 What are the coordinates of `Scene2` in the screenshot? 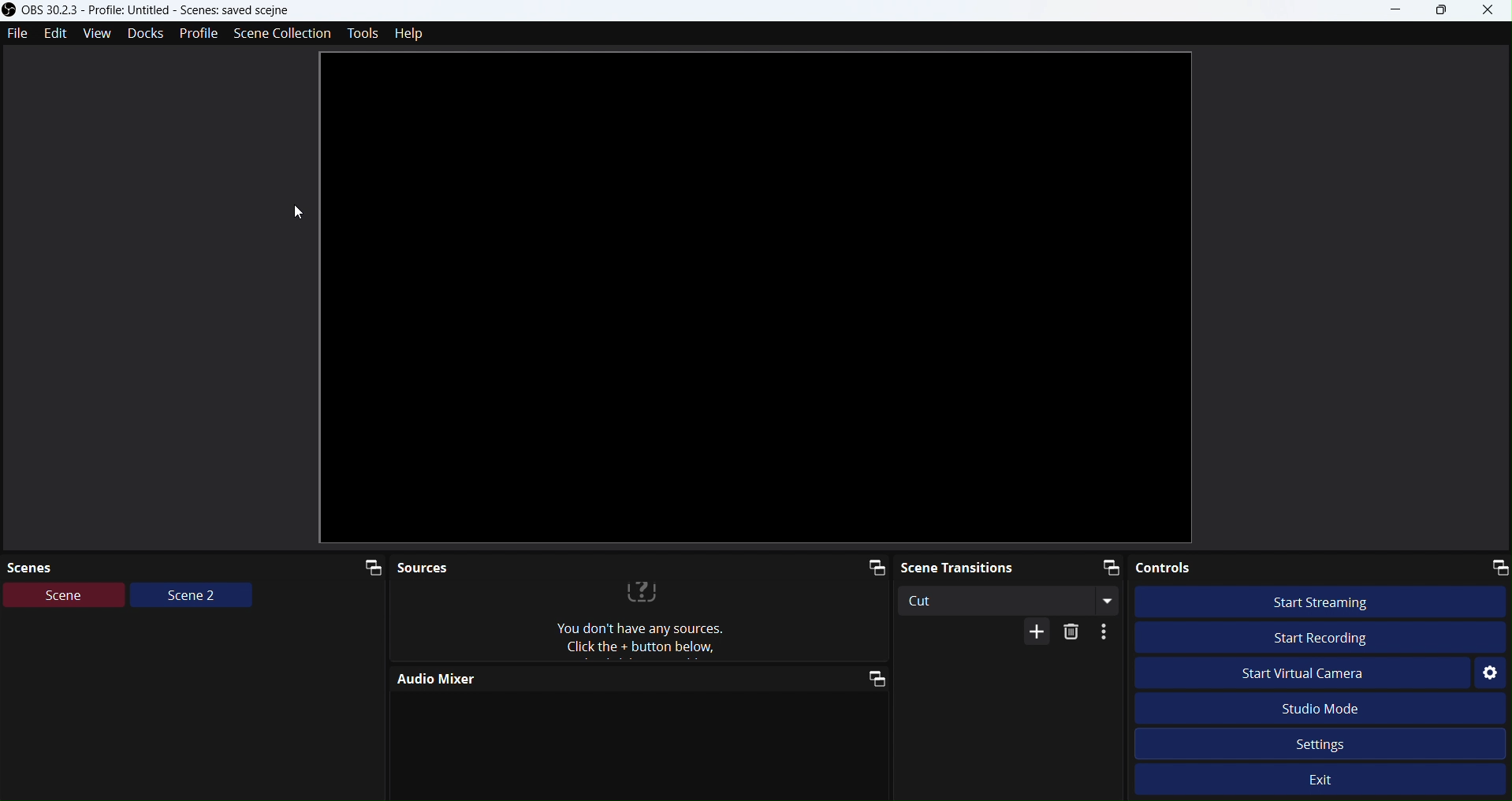 It's located at (192, 597).